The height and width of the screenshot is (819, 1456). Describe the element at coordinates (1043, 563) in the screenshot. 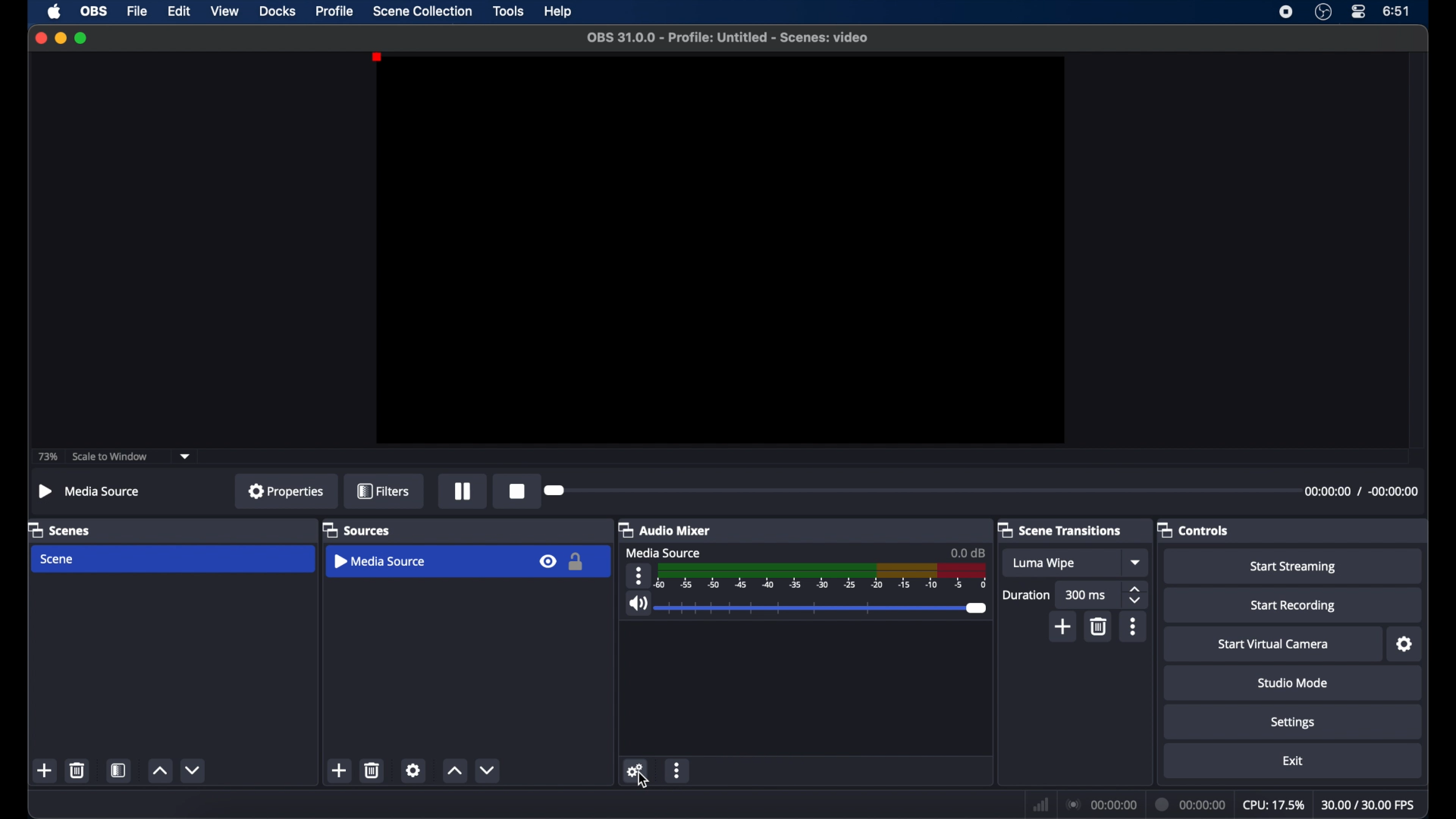

I see `luma wipe` at that location.